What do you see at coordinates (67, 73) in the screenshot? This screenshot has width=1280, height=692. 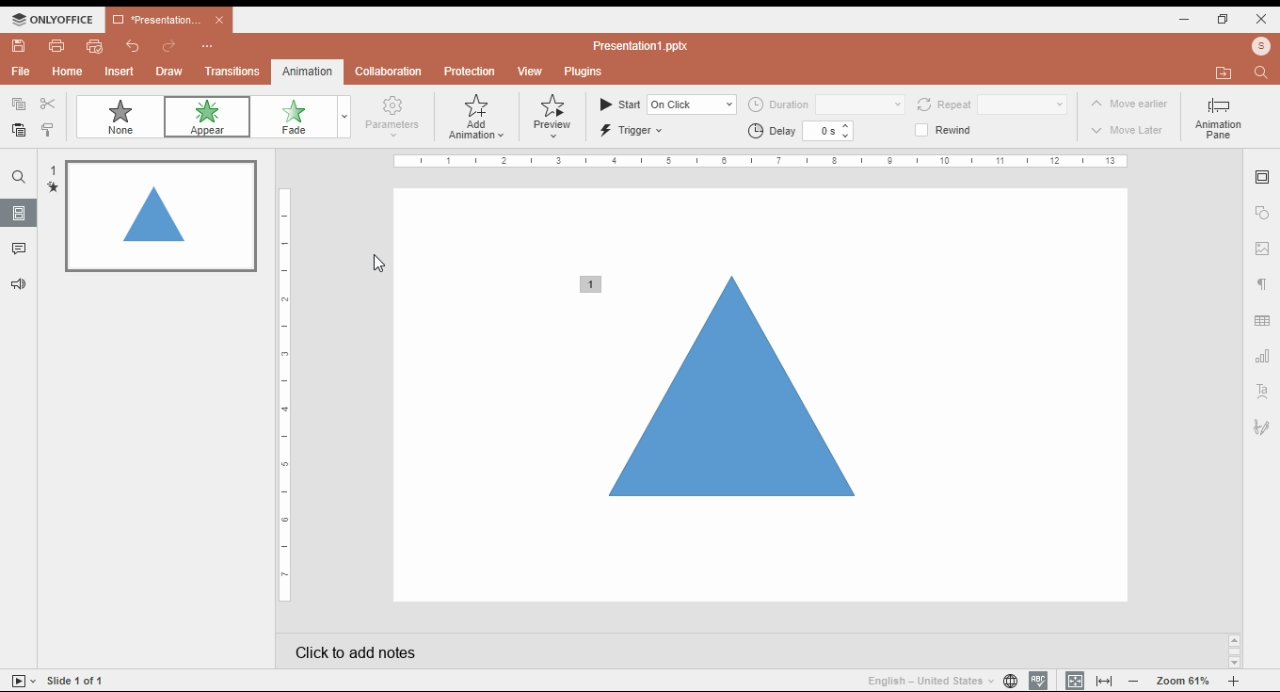 I see `home` at bounding box center [67, 73].